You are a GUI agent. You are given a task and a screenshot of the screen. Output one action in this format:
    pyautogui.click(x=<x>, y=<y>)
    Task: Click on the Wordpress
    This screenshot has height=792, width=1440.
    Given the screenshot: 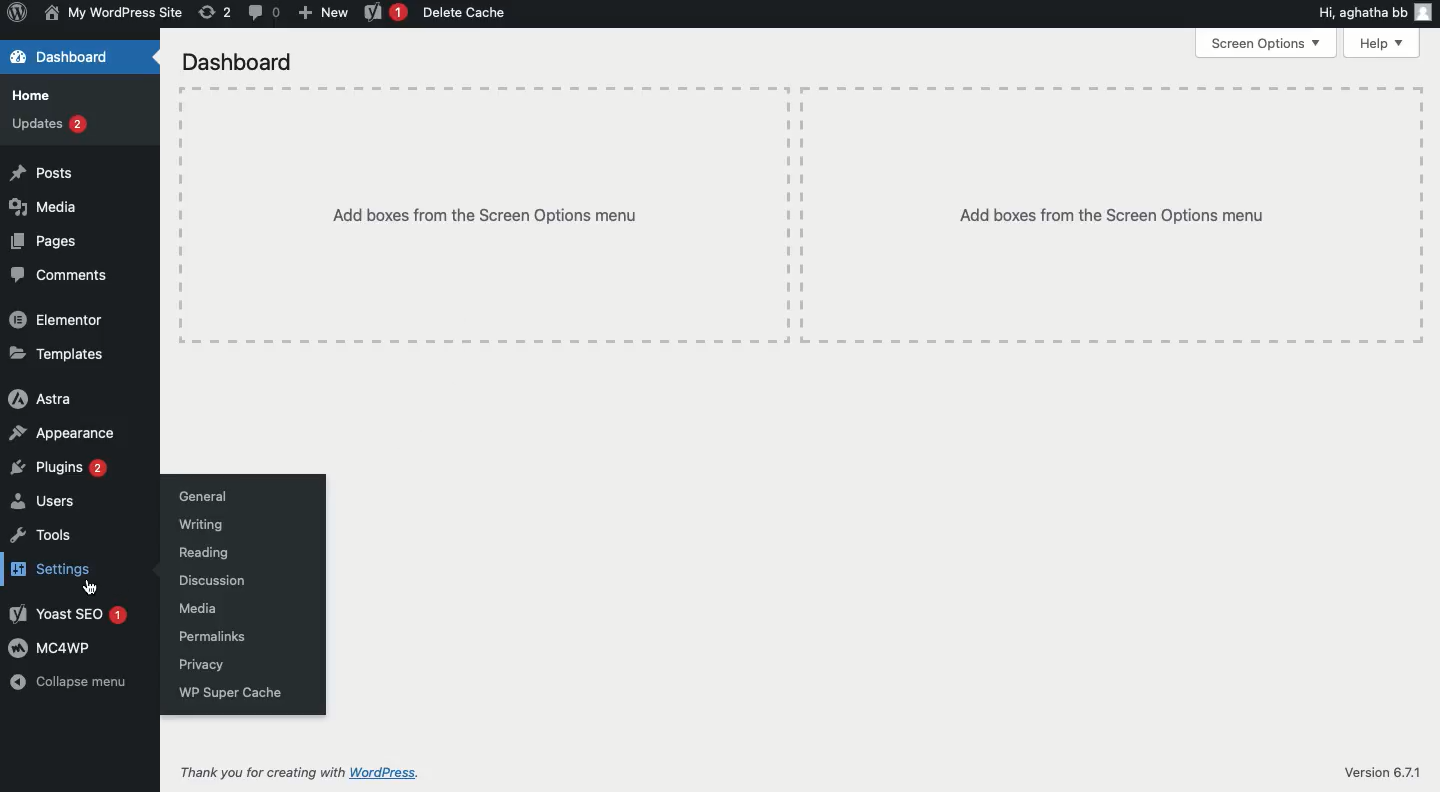 What is the action you would take?
    pyautogui.click(x=402, y=767)
    